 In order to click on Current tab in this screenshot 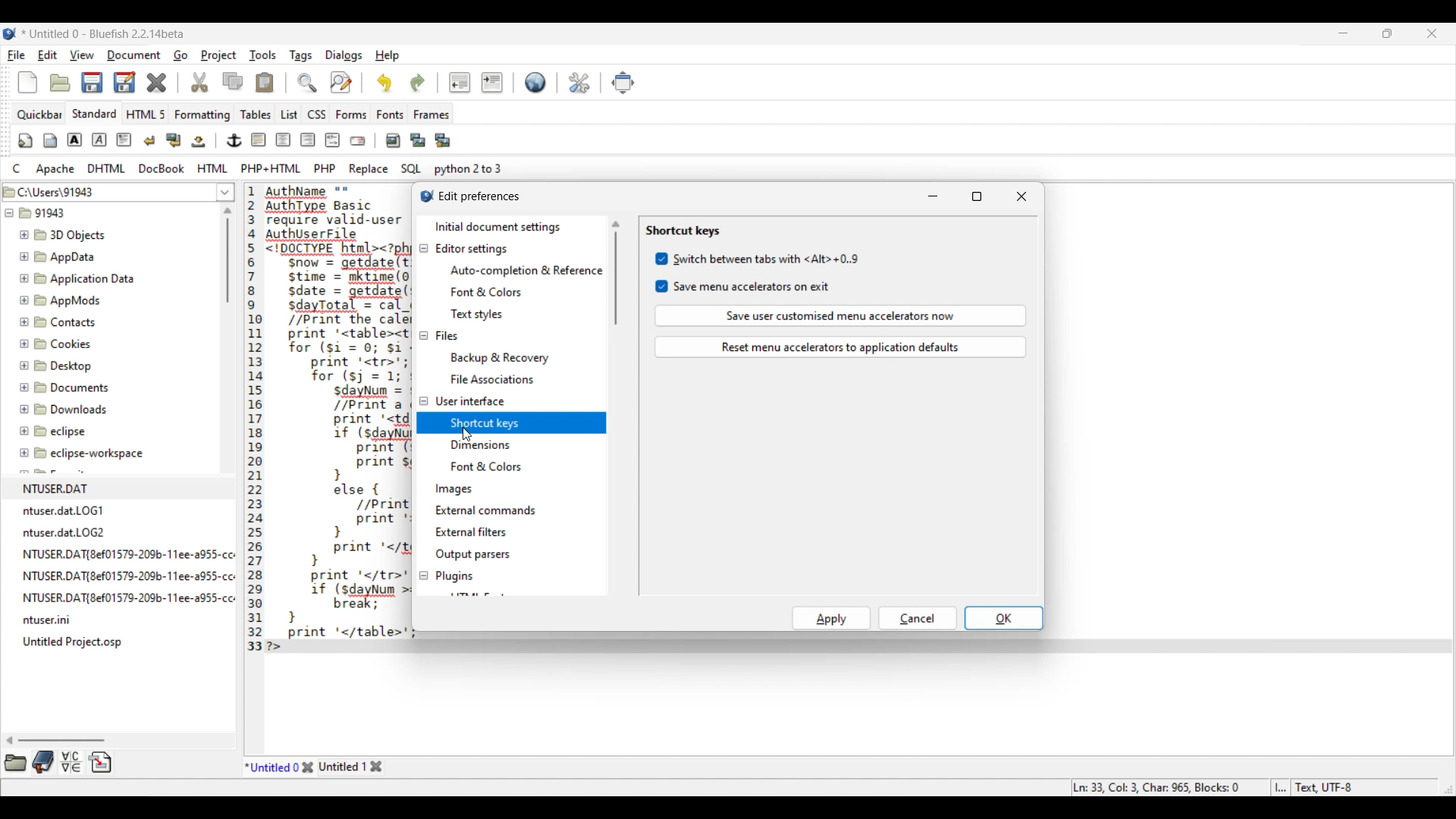, I will do `click(271, 766)`.